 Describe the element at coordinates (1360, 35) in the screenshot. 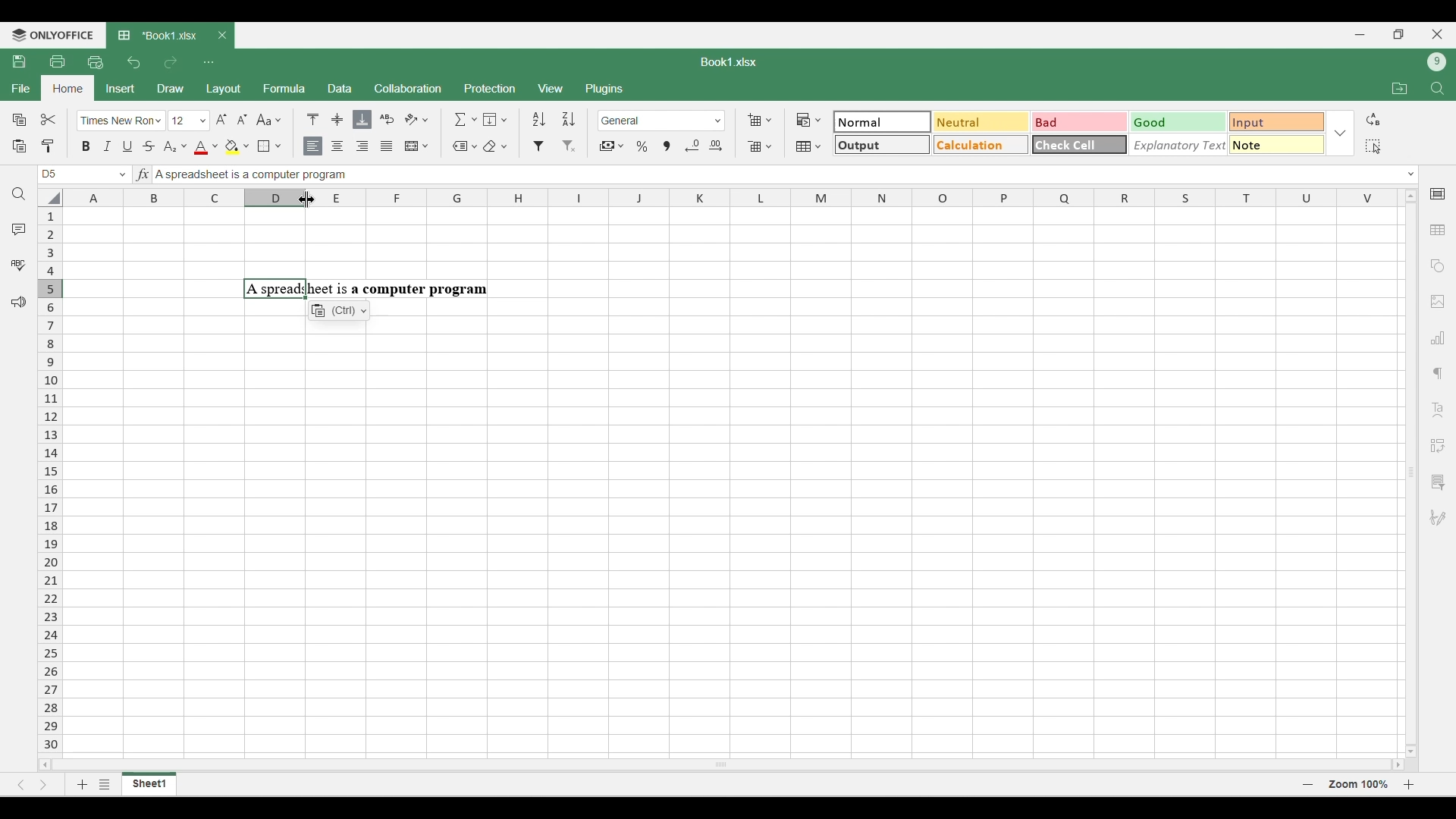

I see `Minimize` at that location.